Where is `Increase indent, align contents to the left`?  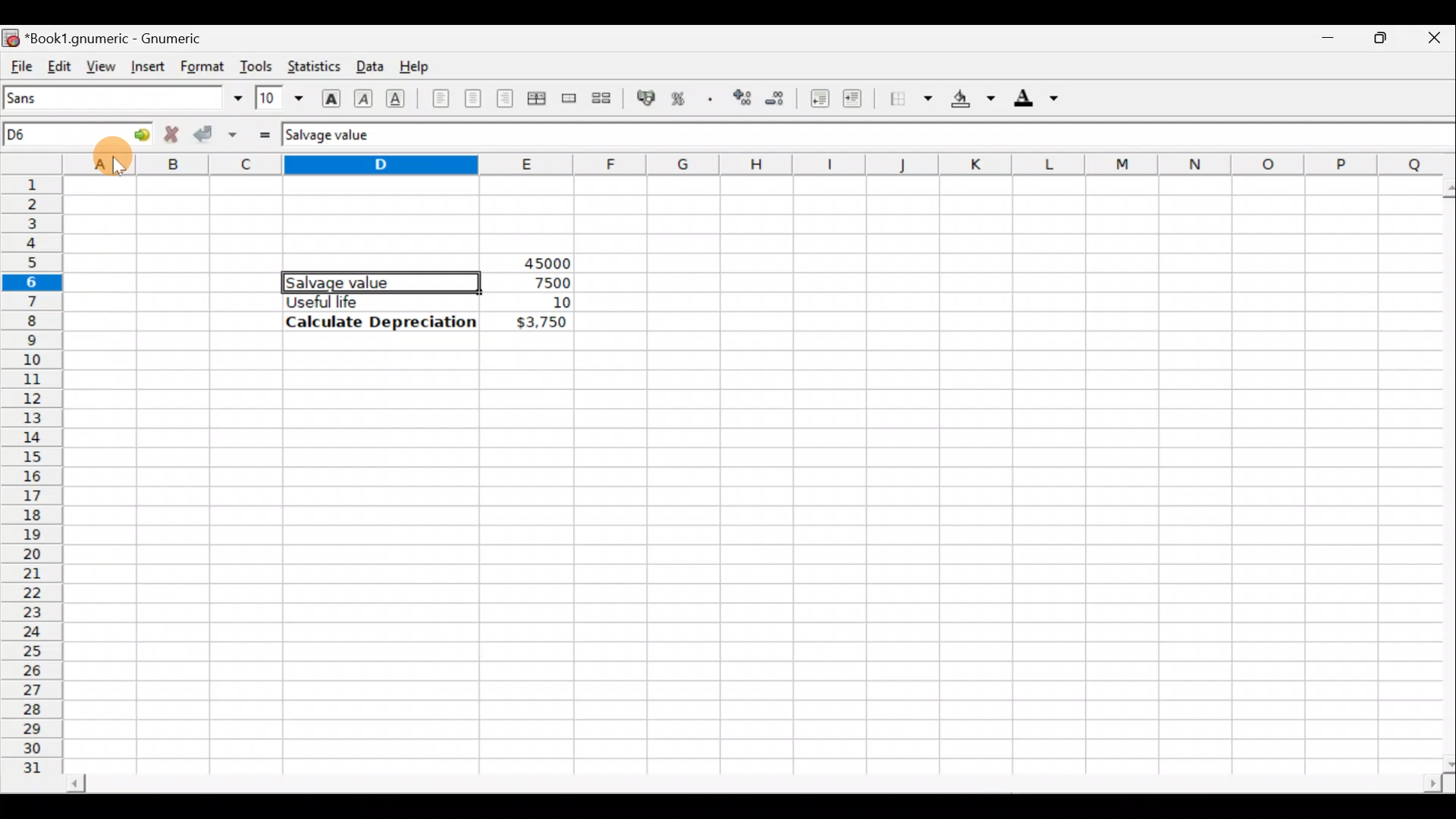 Increase indent, align contents to the left is located at coordinates (859, 100).